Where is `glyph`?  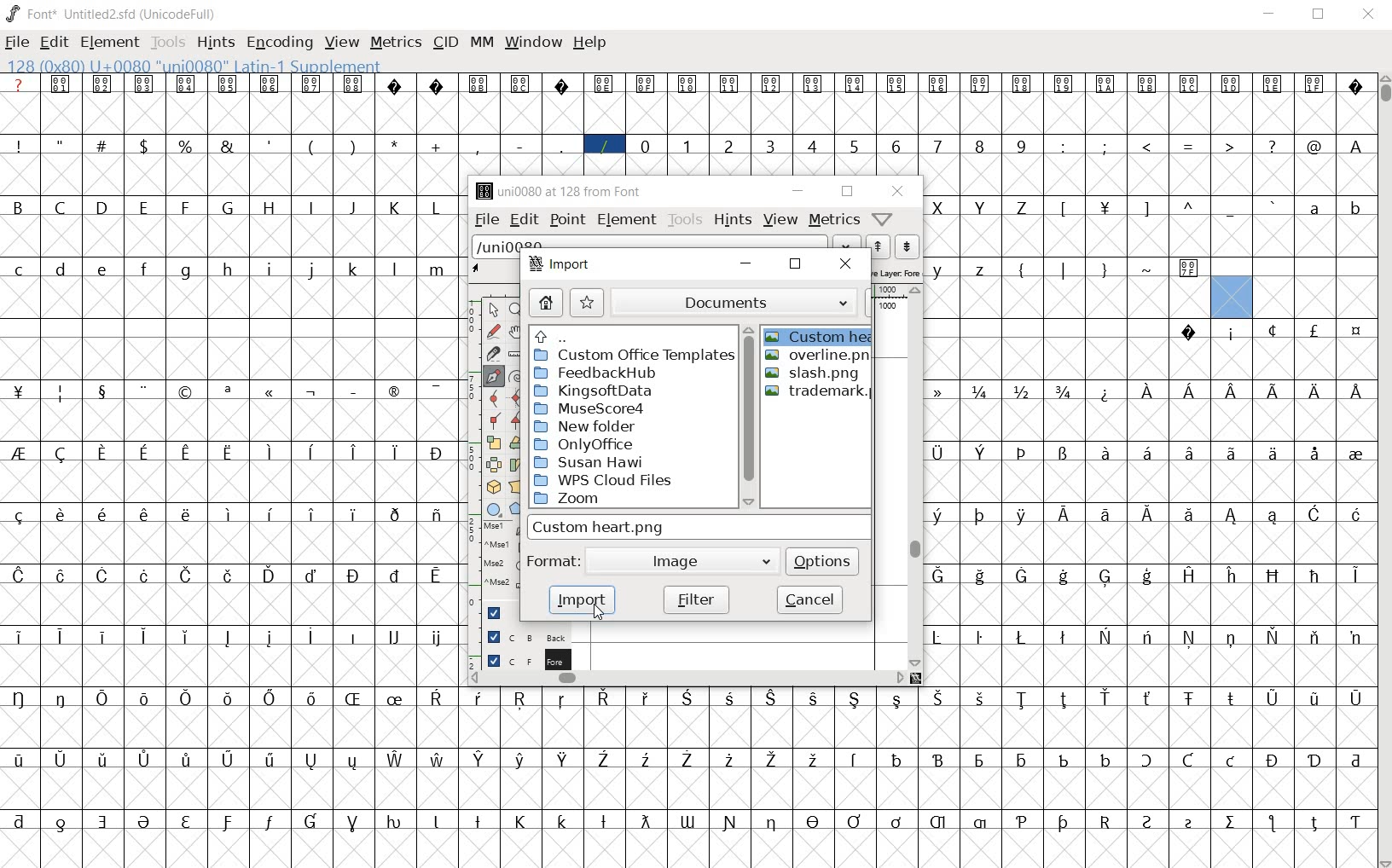
glyph is located at coordinates (1149, 269).